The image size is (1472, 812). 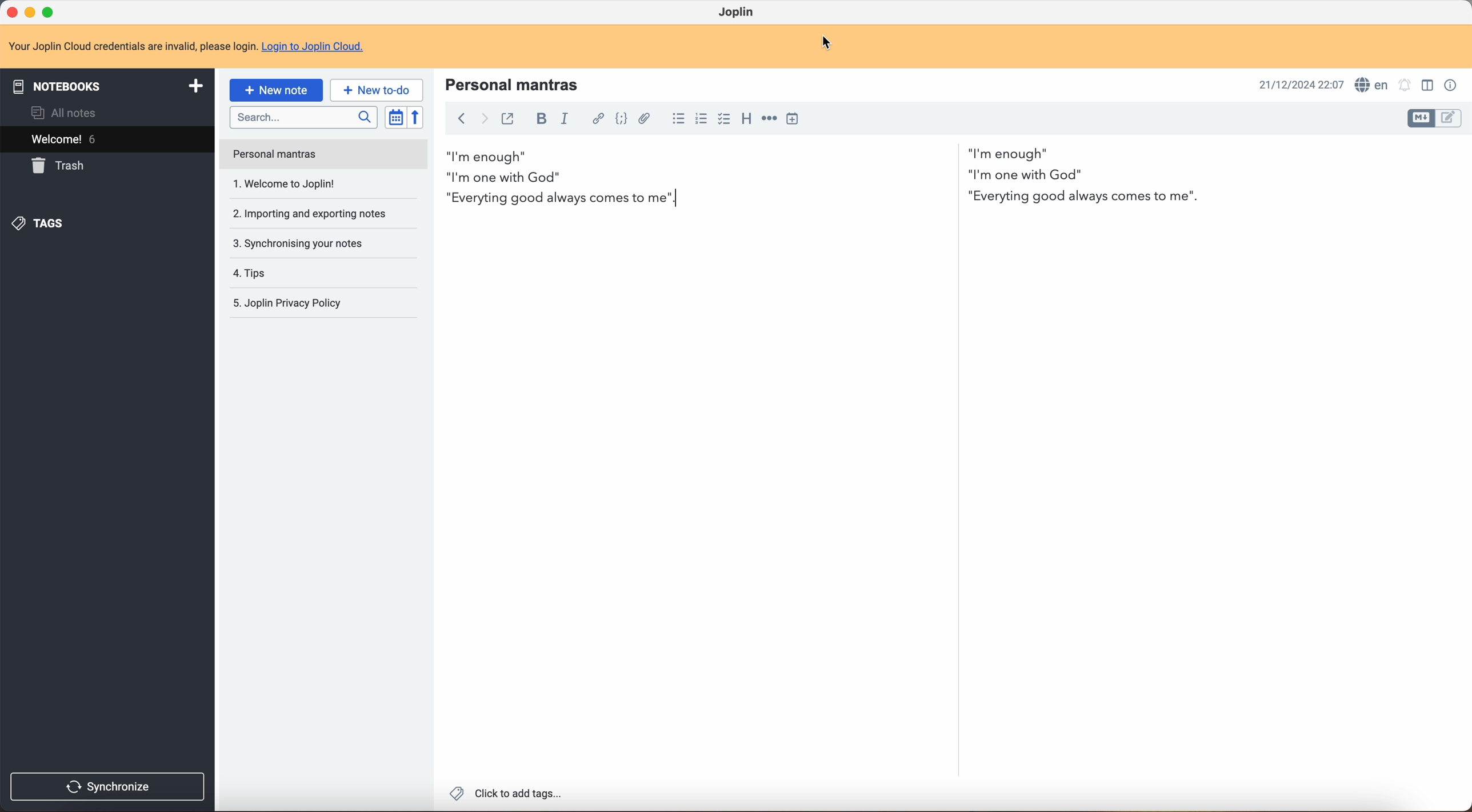 What do you see at coordinates (1463, 360) in the screenshot?
I see `scroll bar` at bounding box center [1463, 360].